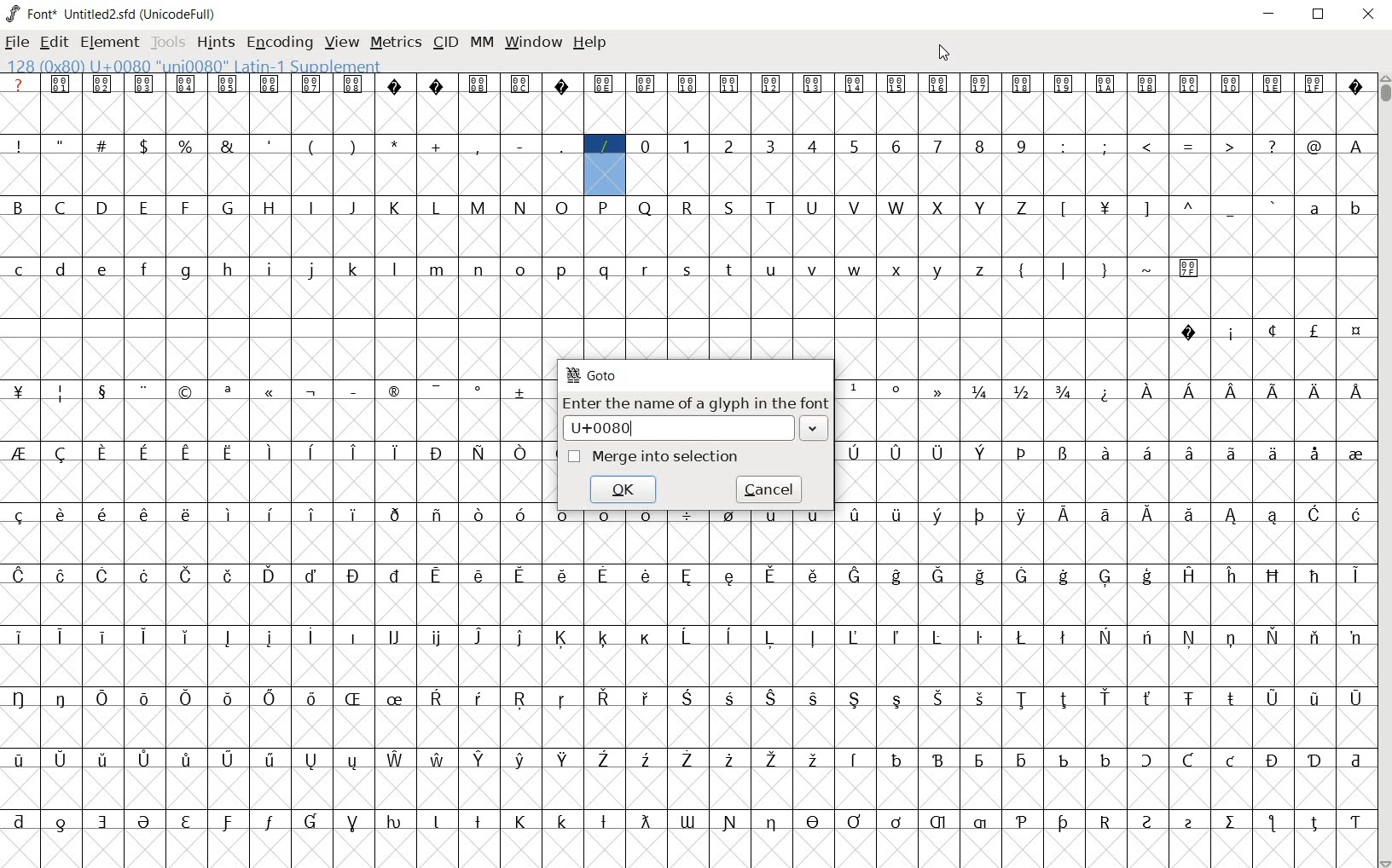 The width and height of the screenshot is (1392, 868). Describe the element at coordinates (1064, 576) in the screenshot. I see `glyph` at that location.